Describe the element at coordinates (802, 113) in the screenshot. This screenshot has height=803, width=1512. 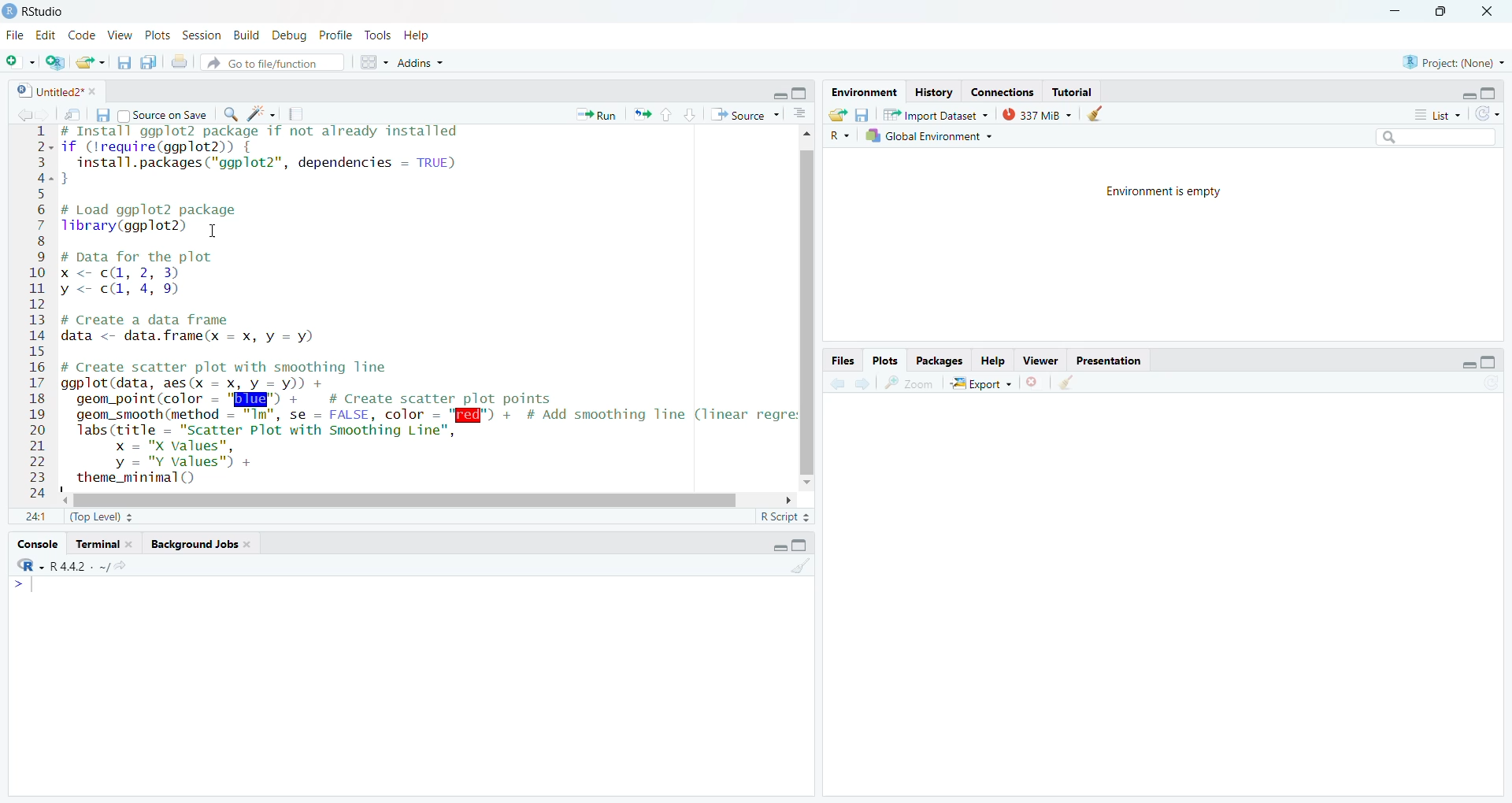
I see `show document outline` at that location.